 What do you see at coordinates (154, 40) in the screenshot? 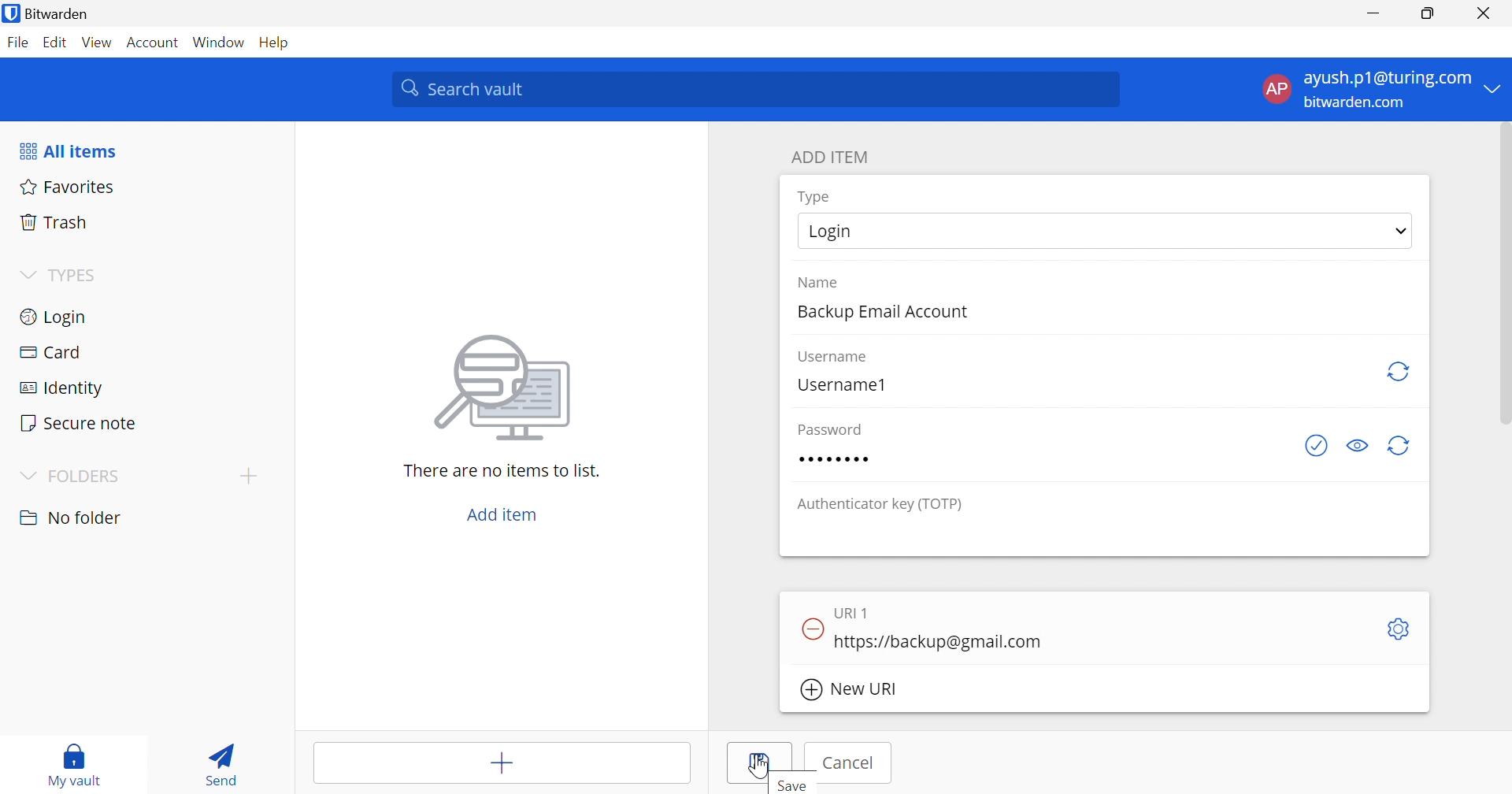
I see `Account` at bounding box center [154, 40].